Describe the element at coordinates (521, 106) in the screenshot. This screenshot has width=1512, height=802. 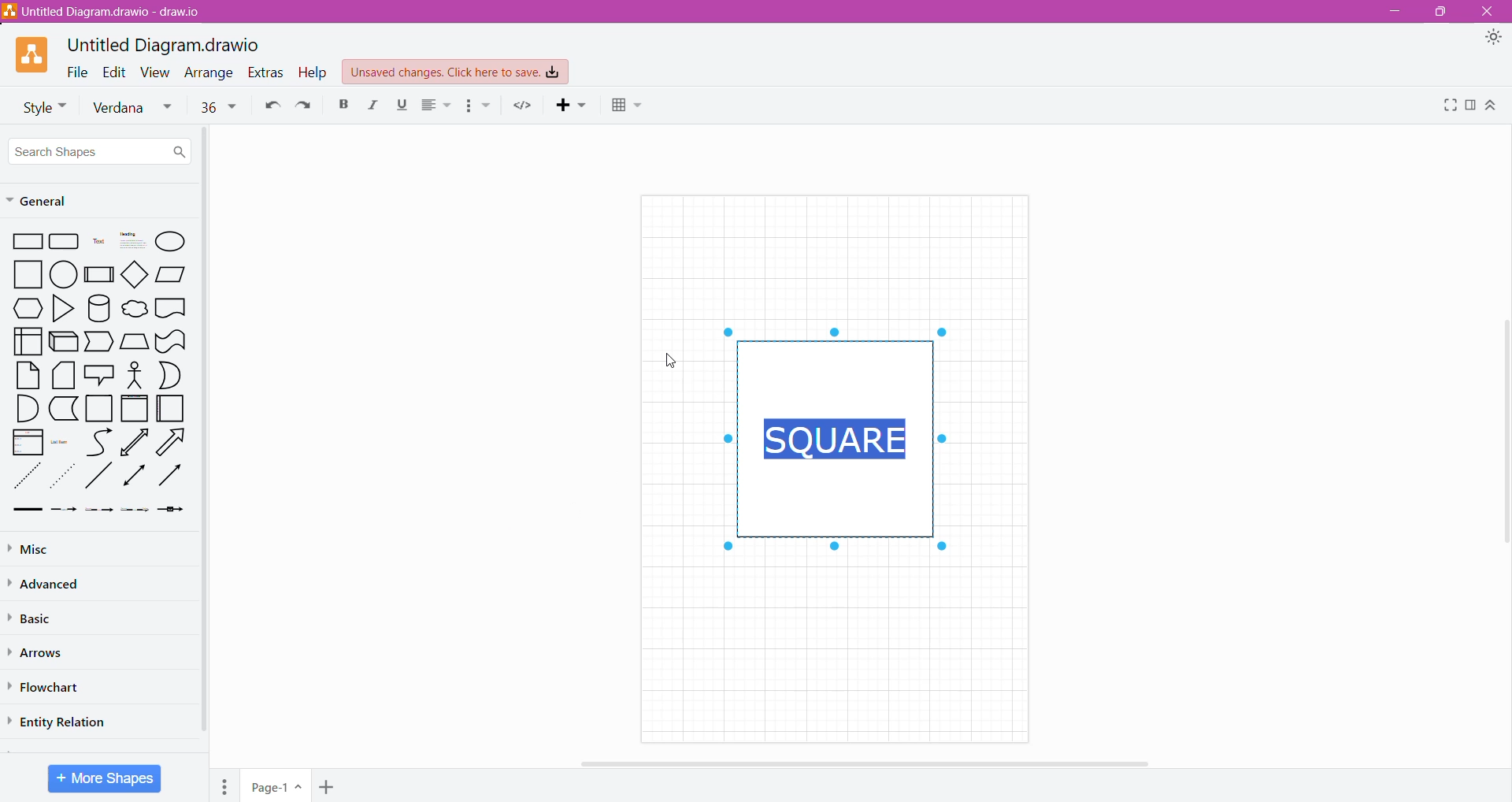
I see `Embed` at that location.